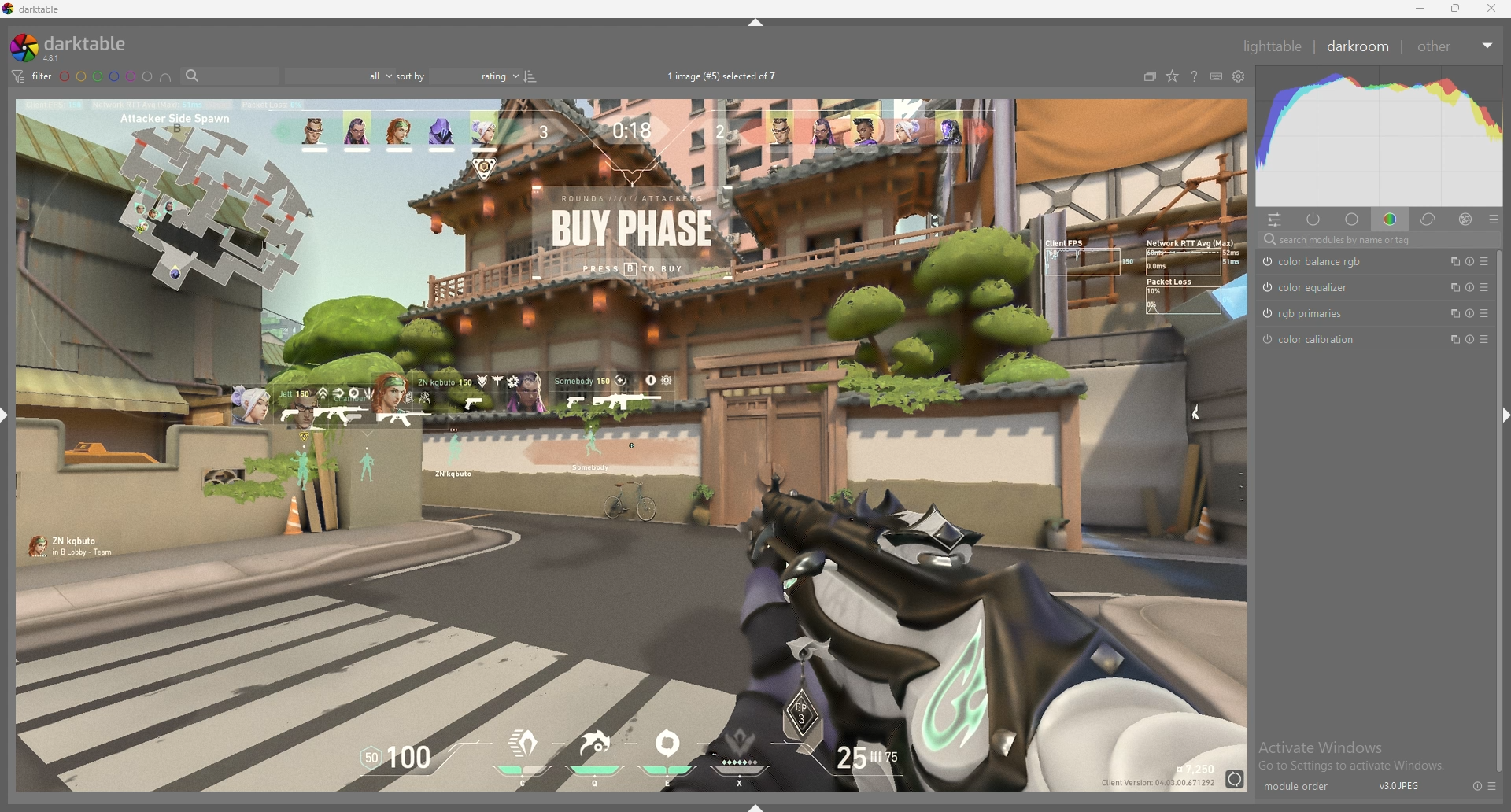  What do you see at coordinates (1272, 46) in the screenshot?
I see `lighttable` at bounding box center [1272, 46].